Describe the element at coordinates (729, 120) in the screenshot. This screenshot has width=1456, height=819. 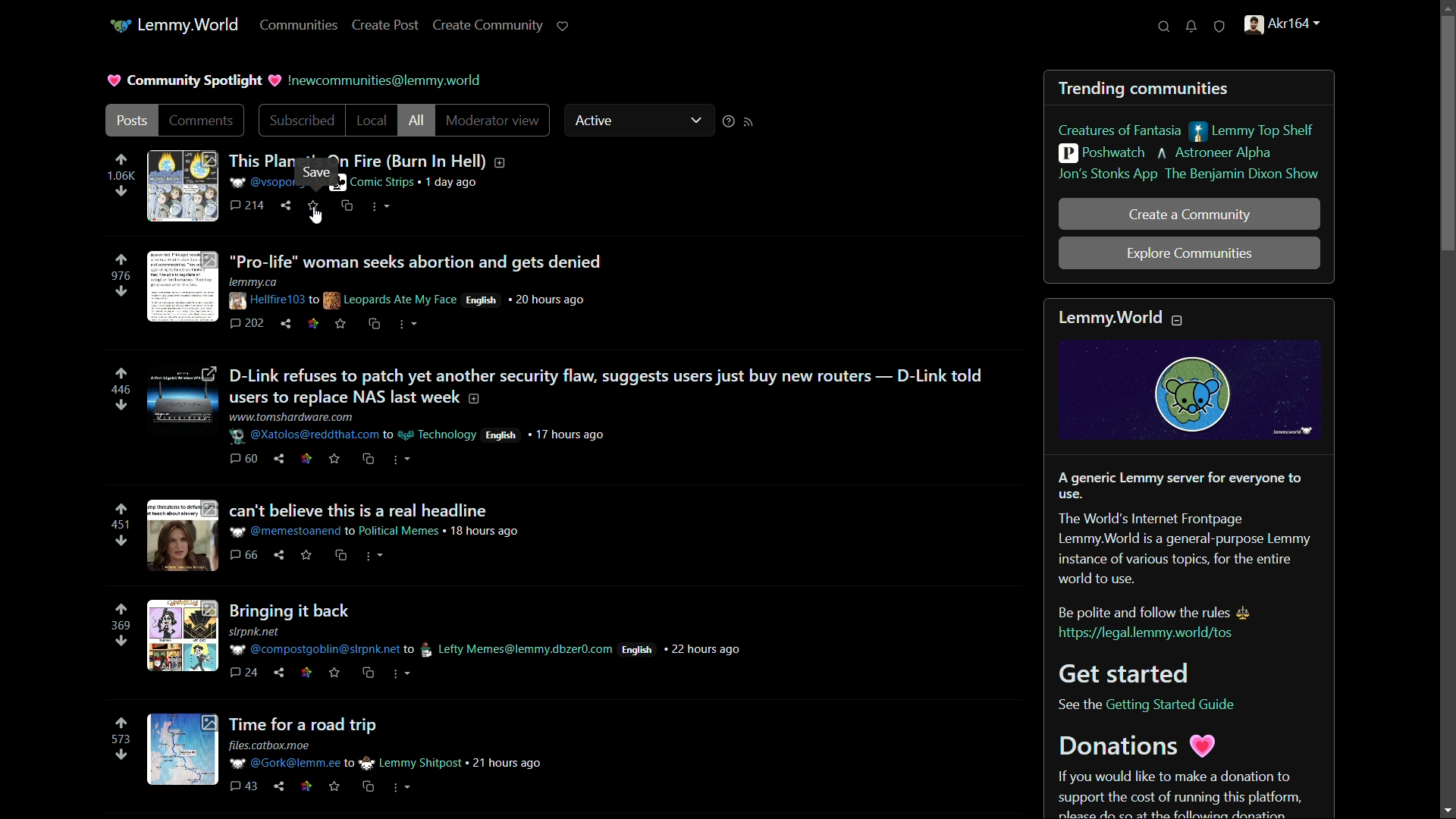
I see `sorting help` at that location.